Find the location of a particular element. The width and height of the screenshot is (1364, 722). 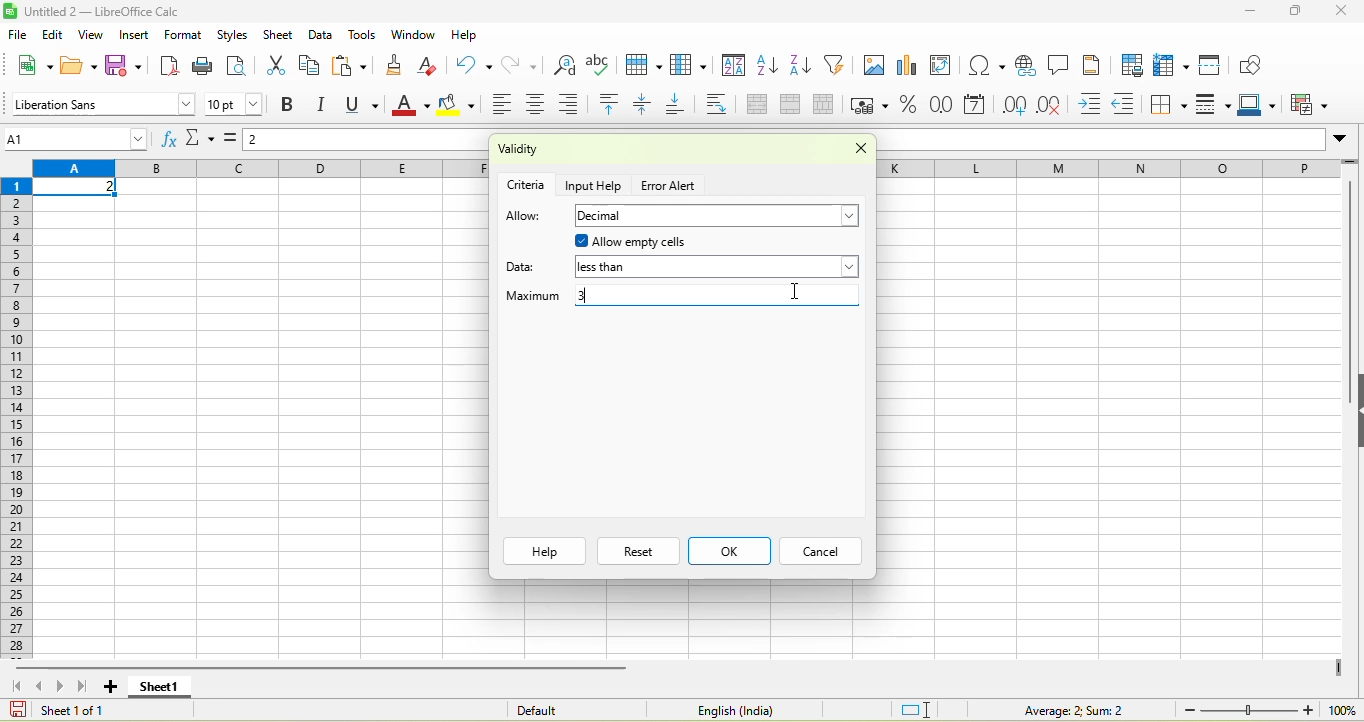

ok is located at coordinates (729, 551).